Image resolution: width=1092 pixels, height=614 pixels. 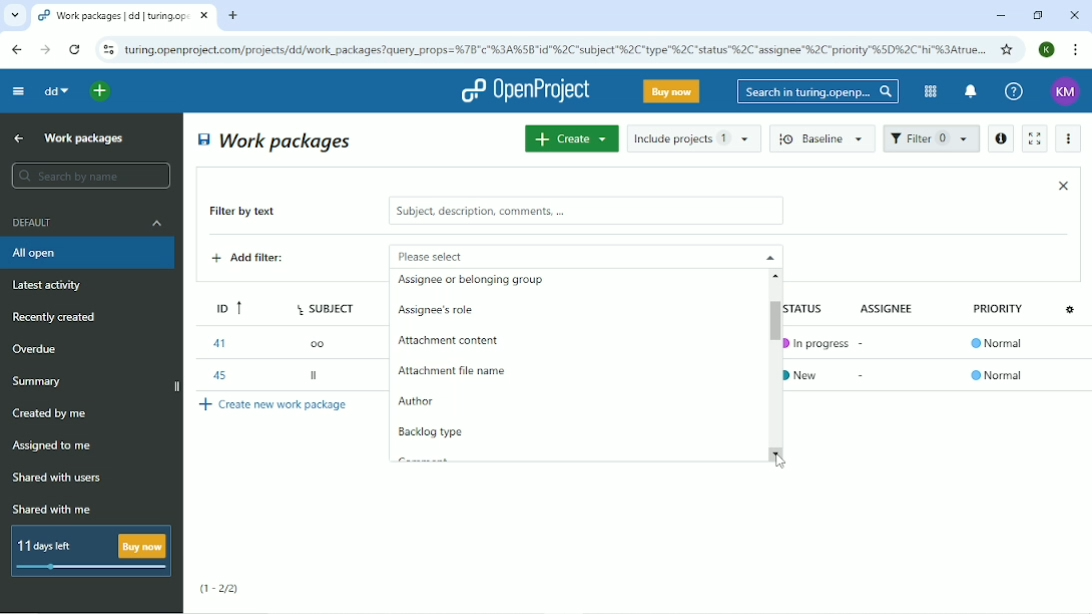 I want to click on -, so click(x=864, y=340).